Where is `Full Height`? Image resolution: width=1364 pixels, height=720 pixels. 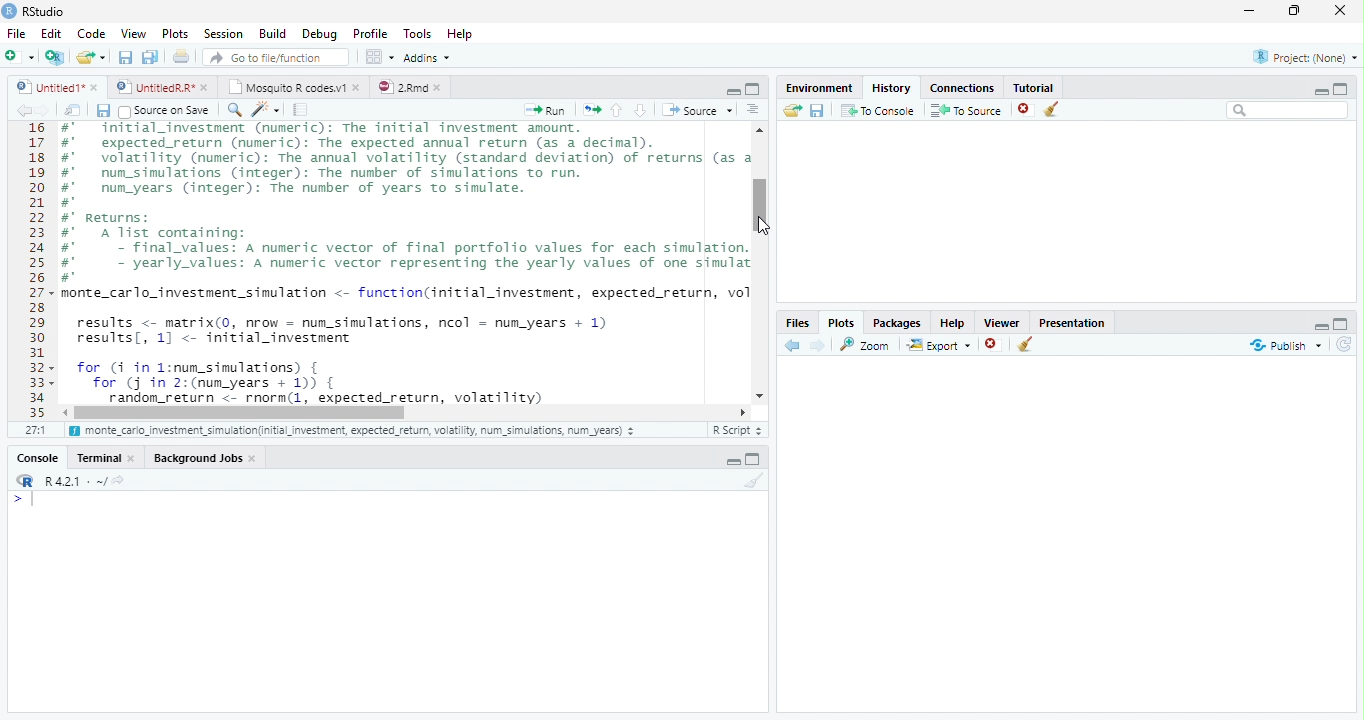 Full Height is located at coordinates (756, 458).